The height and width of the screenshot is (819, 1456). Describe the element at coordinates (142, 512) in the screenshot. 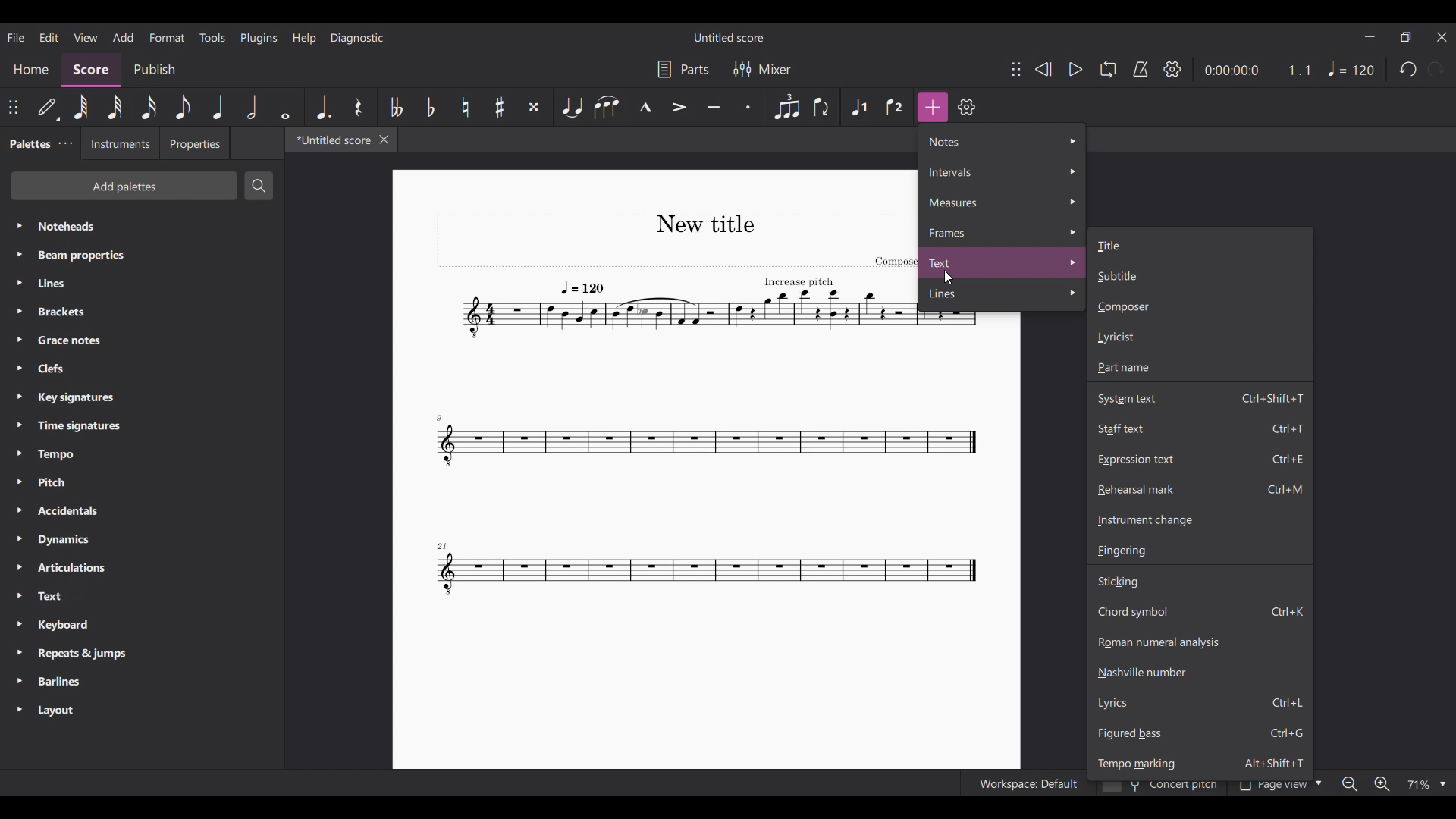

I see `Accidentals` at that location.